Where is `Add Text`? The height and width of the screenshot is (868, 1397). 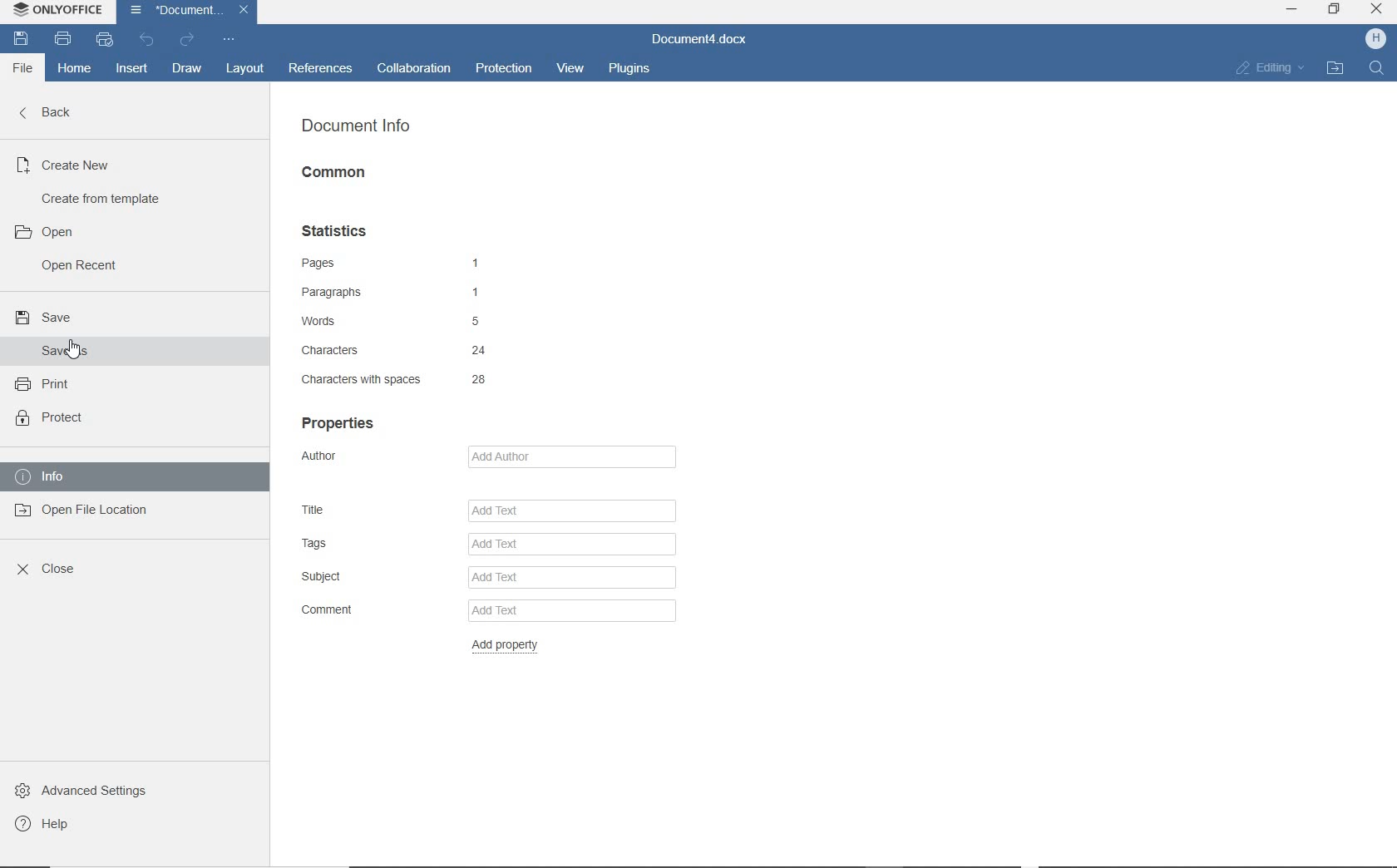 Add Text is located at coordinates (573, 577).